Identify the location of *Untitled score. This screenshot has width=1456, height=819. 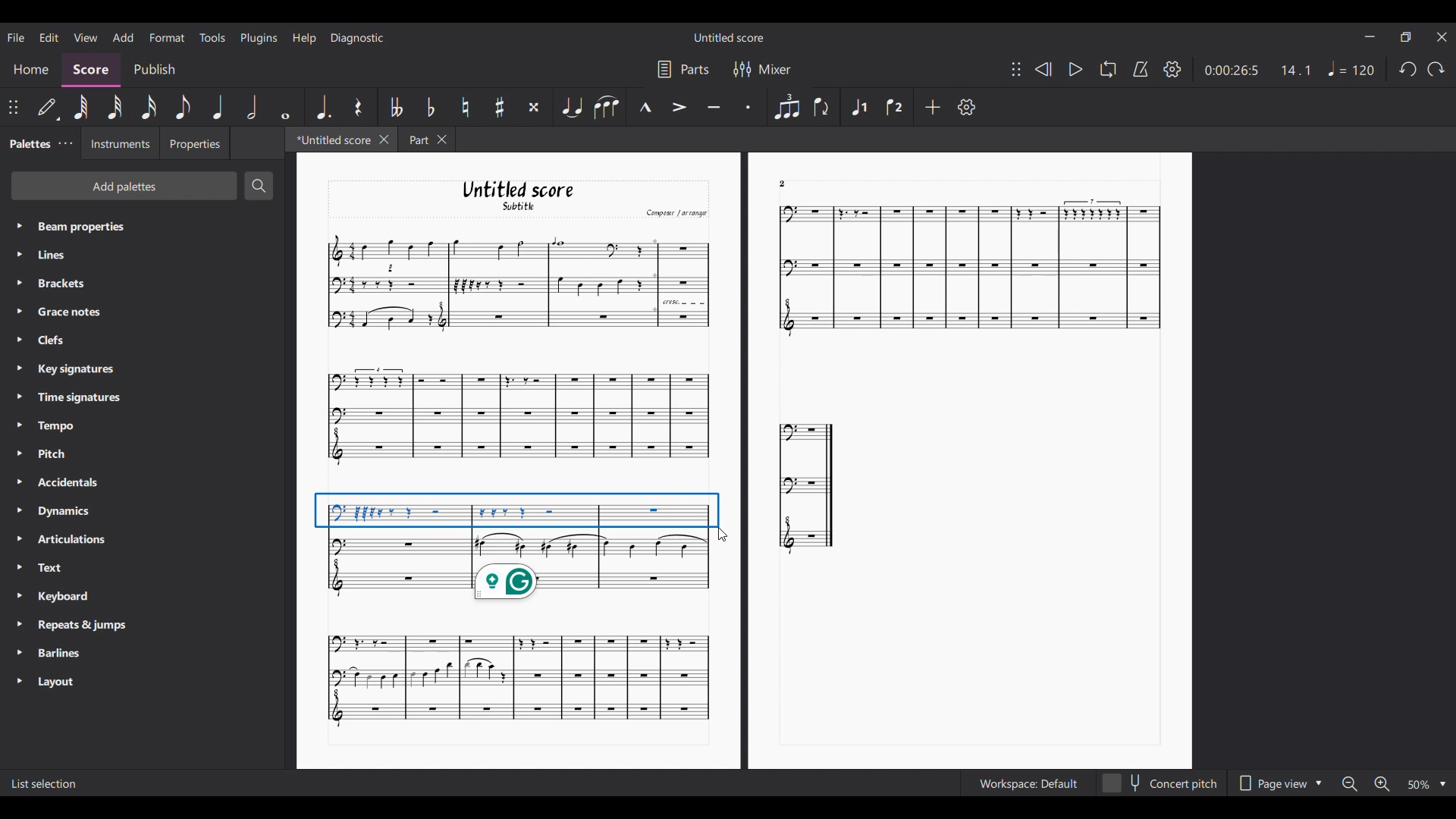
(328, 139).